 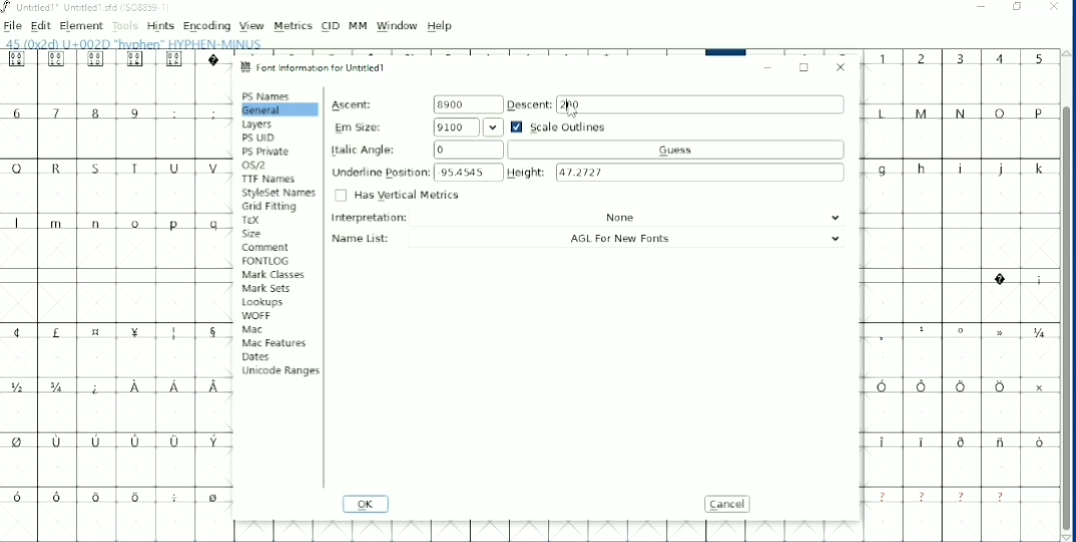 I want to click on Ascent, so click(x=413, y=104).